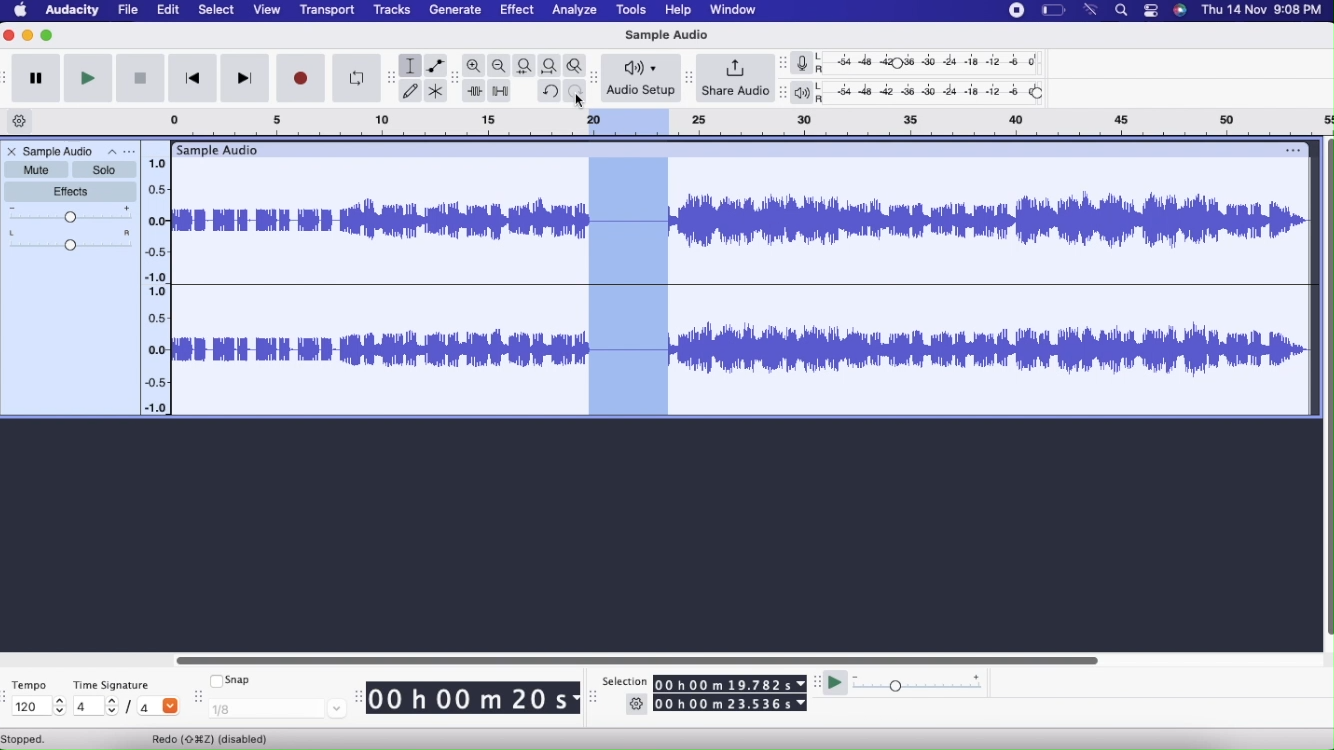 This screenshot has height=750, width=1334. Describe the element at coordinates (474, 699) in the screenshot. I see `00 h 00 m 20 s` at that location.